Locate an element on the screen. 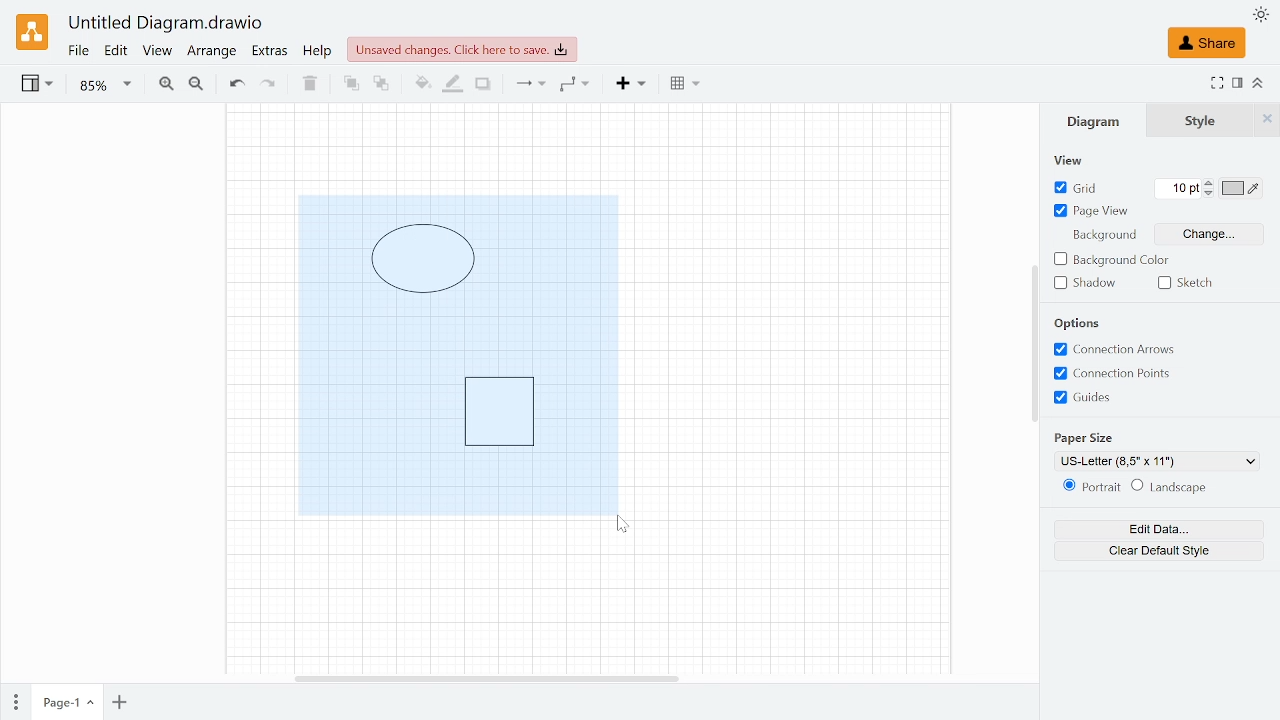  Unsaved changes. click here to save is located at coordinates (462, 50).